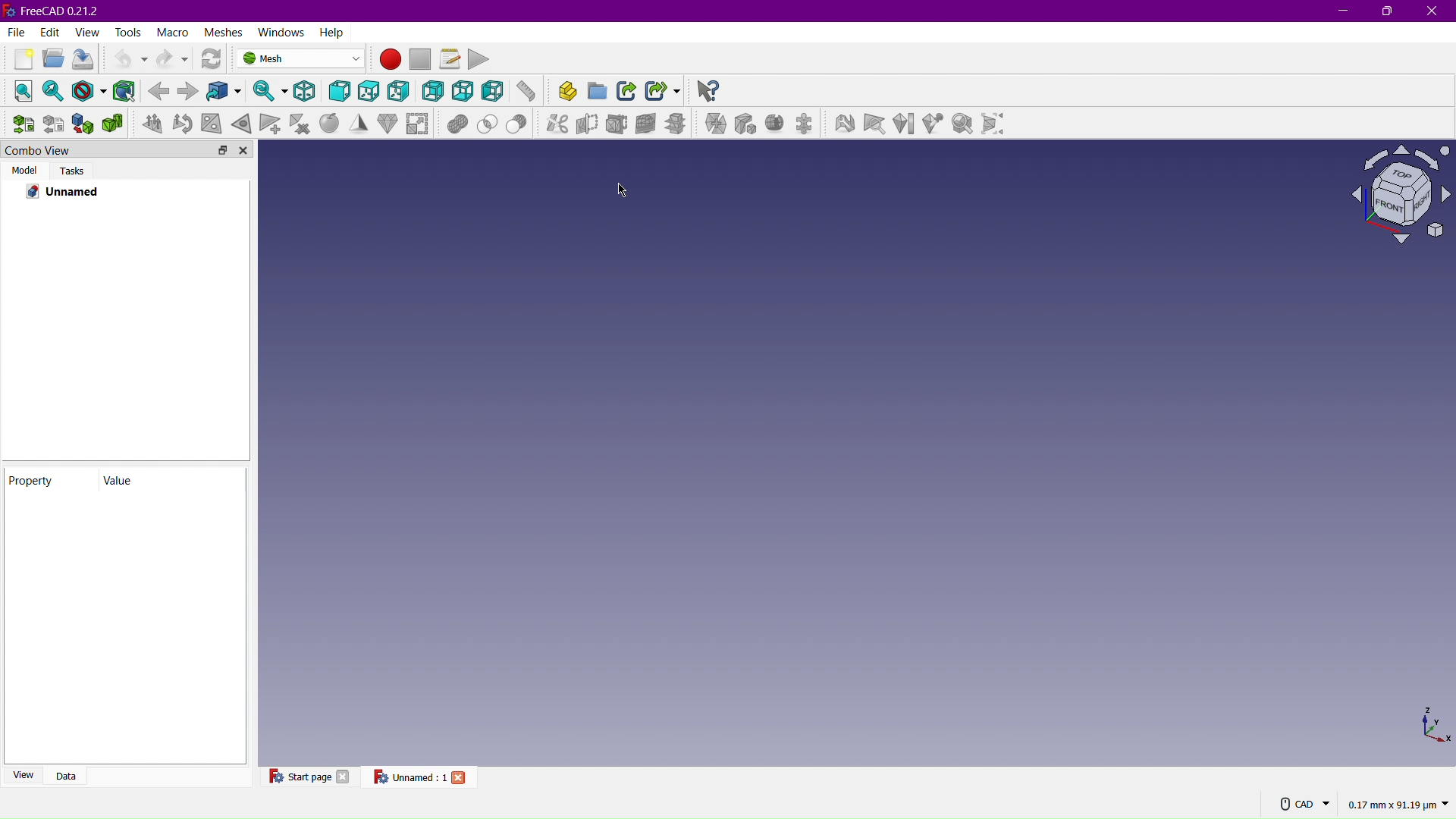 This screenshot has width=1456, height=819. I want to click on Trim mesh, so click(586, 124).